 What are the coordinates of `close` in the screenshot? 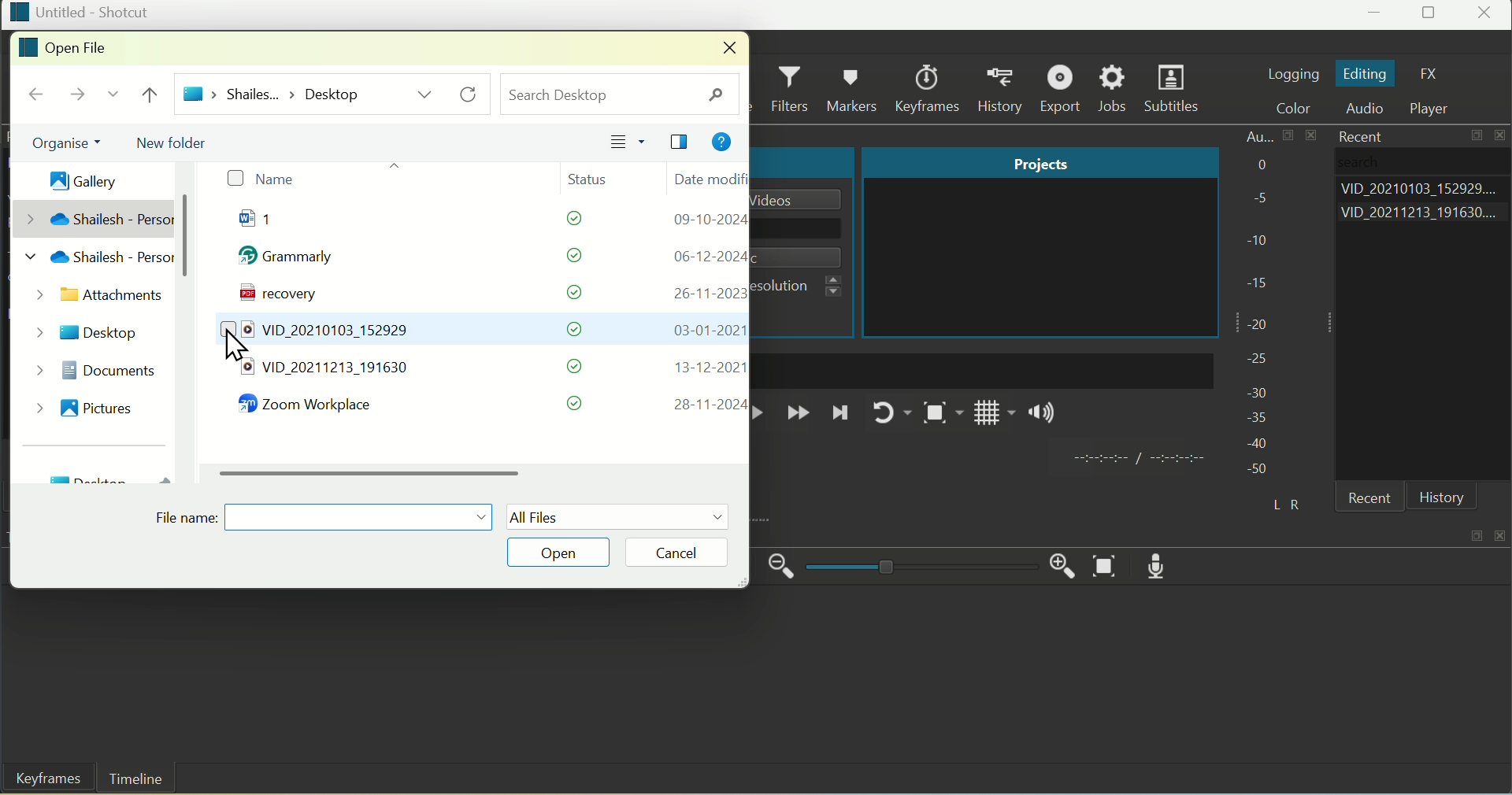 It's located at (1503, 532).